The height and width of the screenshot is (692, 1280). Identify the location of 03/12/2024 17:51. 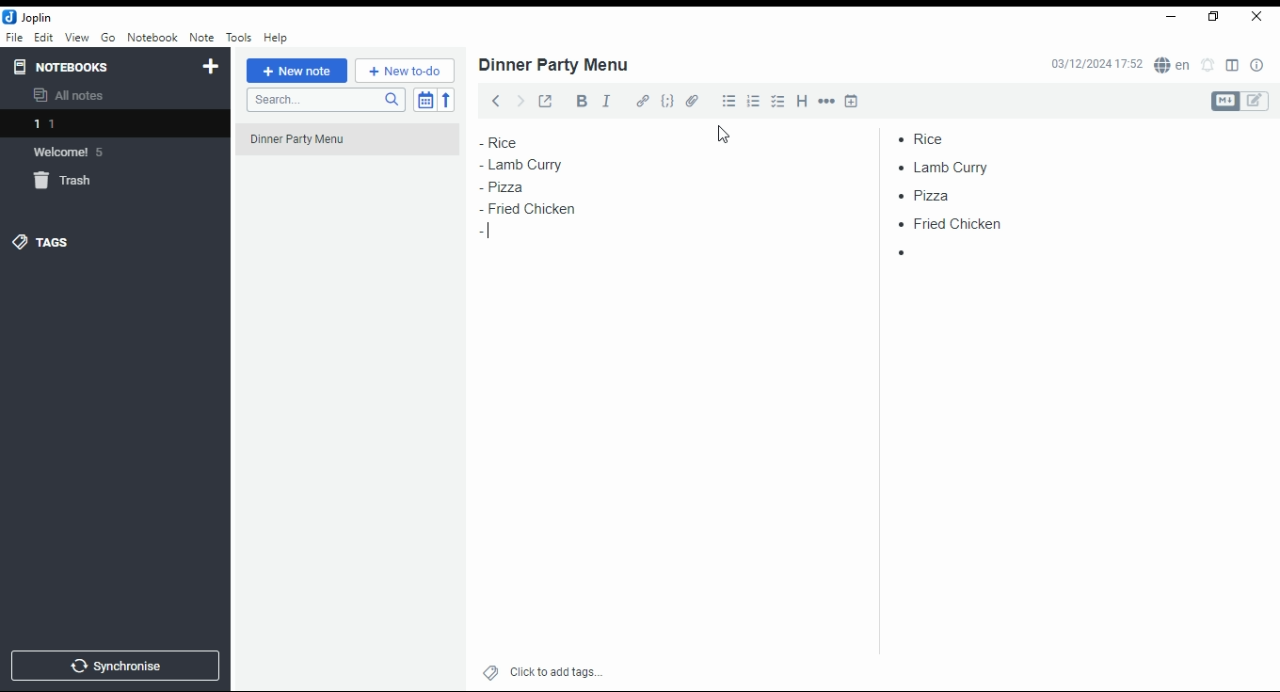
(1094, 65).